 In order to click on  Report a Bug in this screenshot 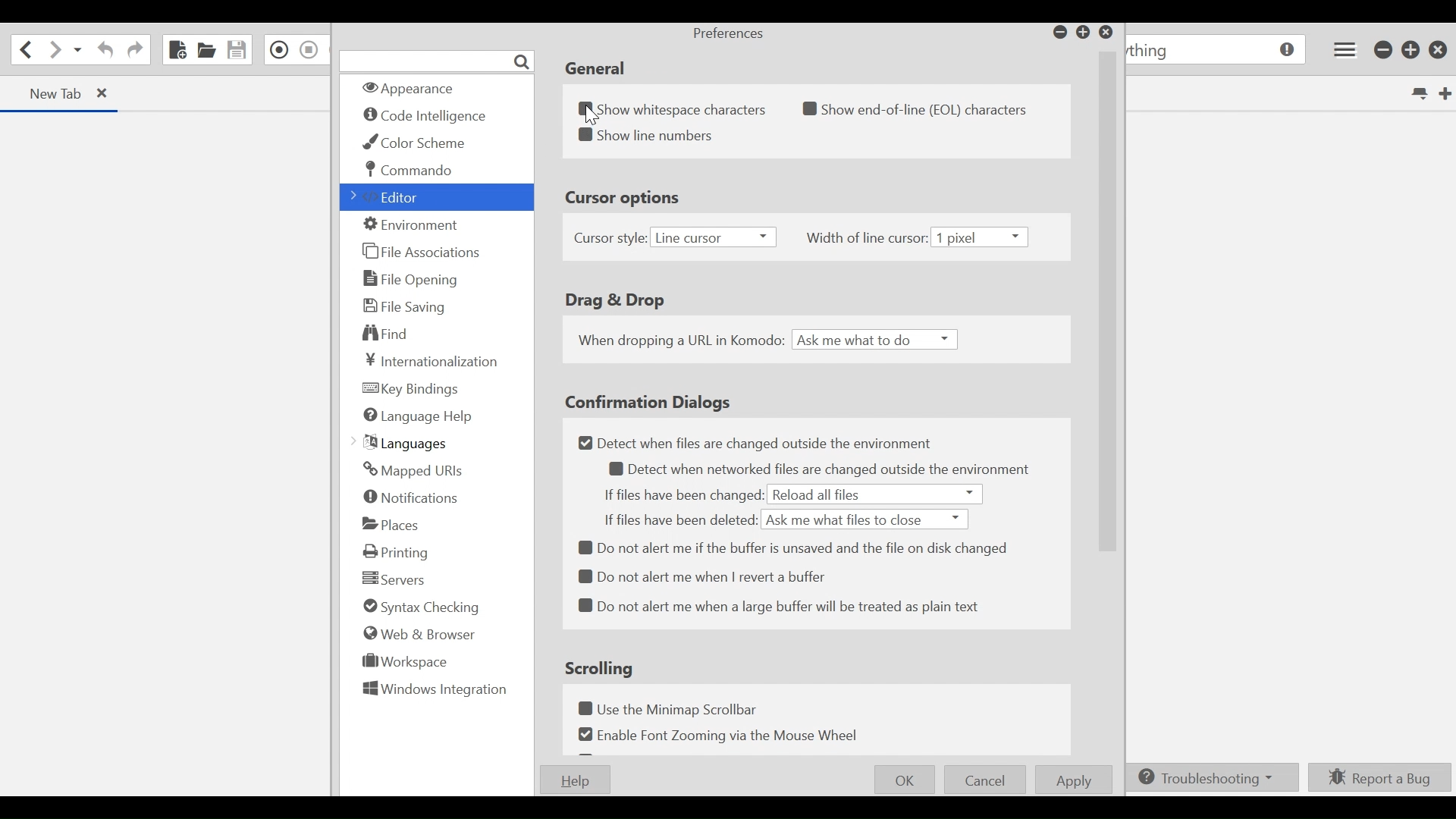, I will do `click(1379, 778)`.